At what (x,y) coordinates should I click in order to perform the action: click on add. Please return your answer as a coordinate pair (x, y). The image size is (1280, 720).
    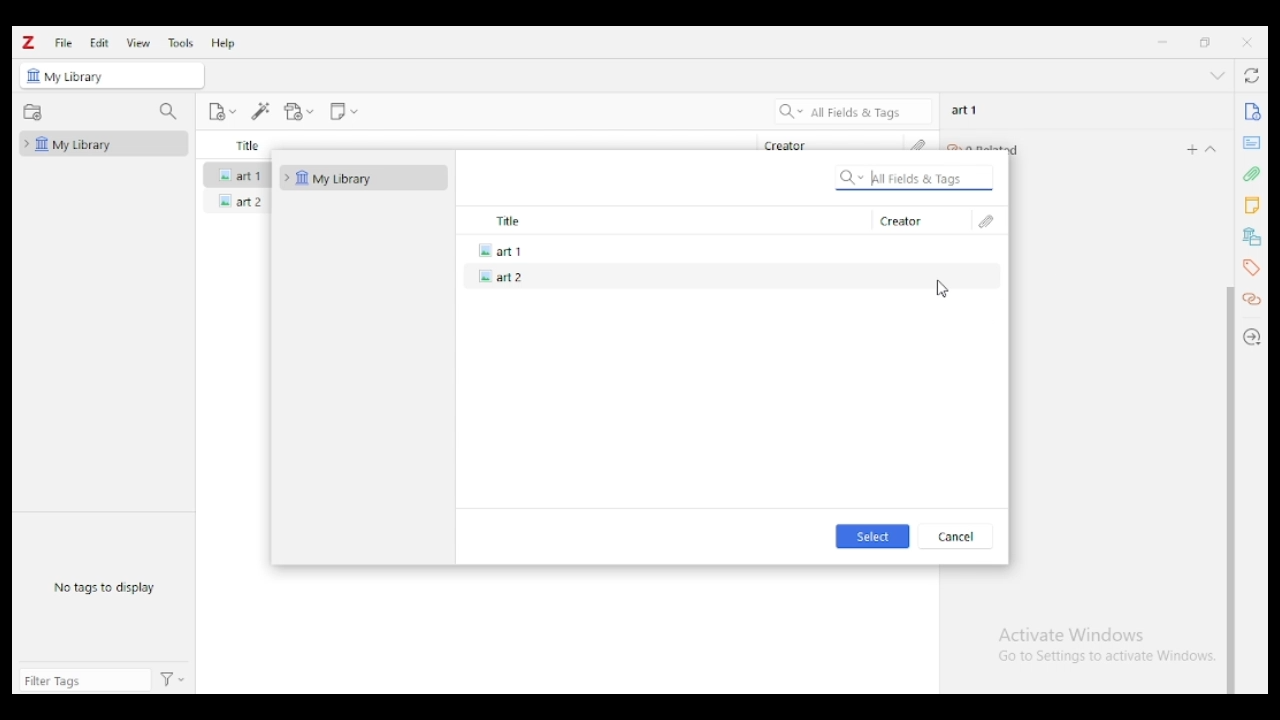
    Looking at the image, I should click on (1192, 149).